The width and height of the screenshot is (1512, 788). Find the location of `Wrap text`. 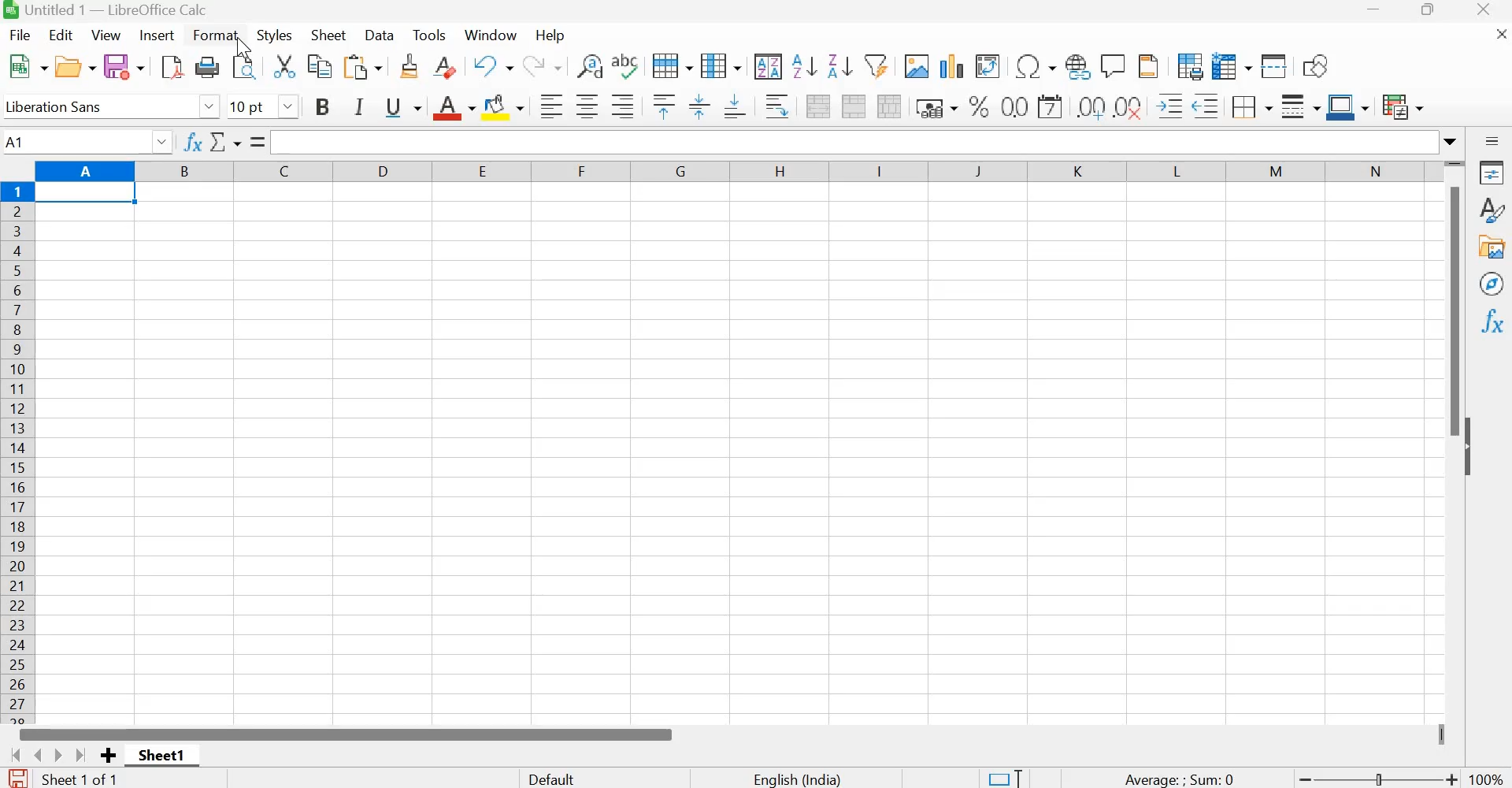

Wrap text is located at coordinates (776, 107).